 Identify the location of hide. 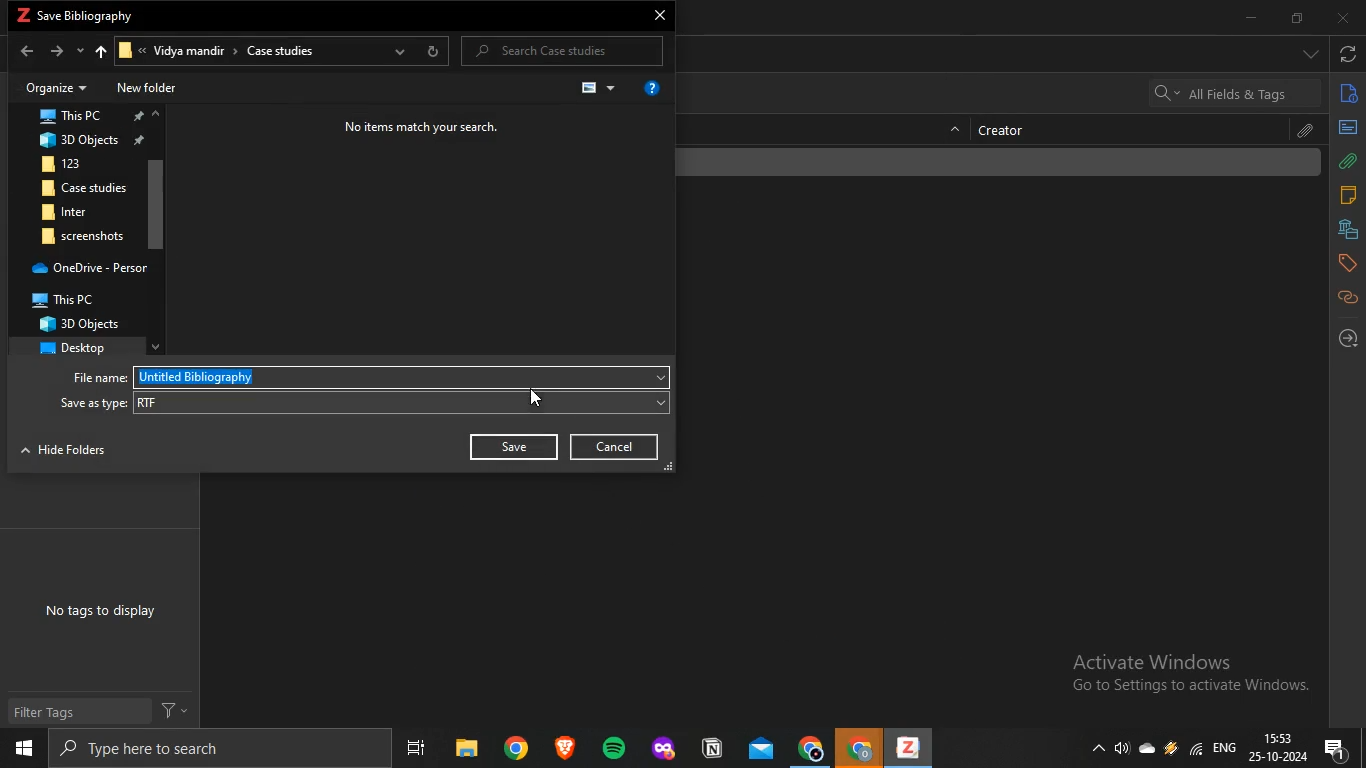
(958, 127).